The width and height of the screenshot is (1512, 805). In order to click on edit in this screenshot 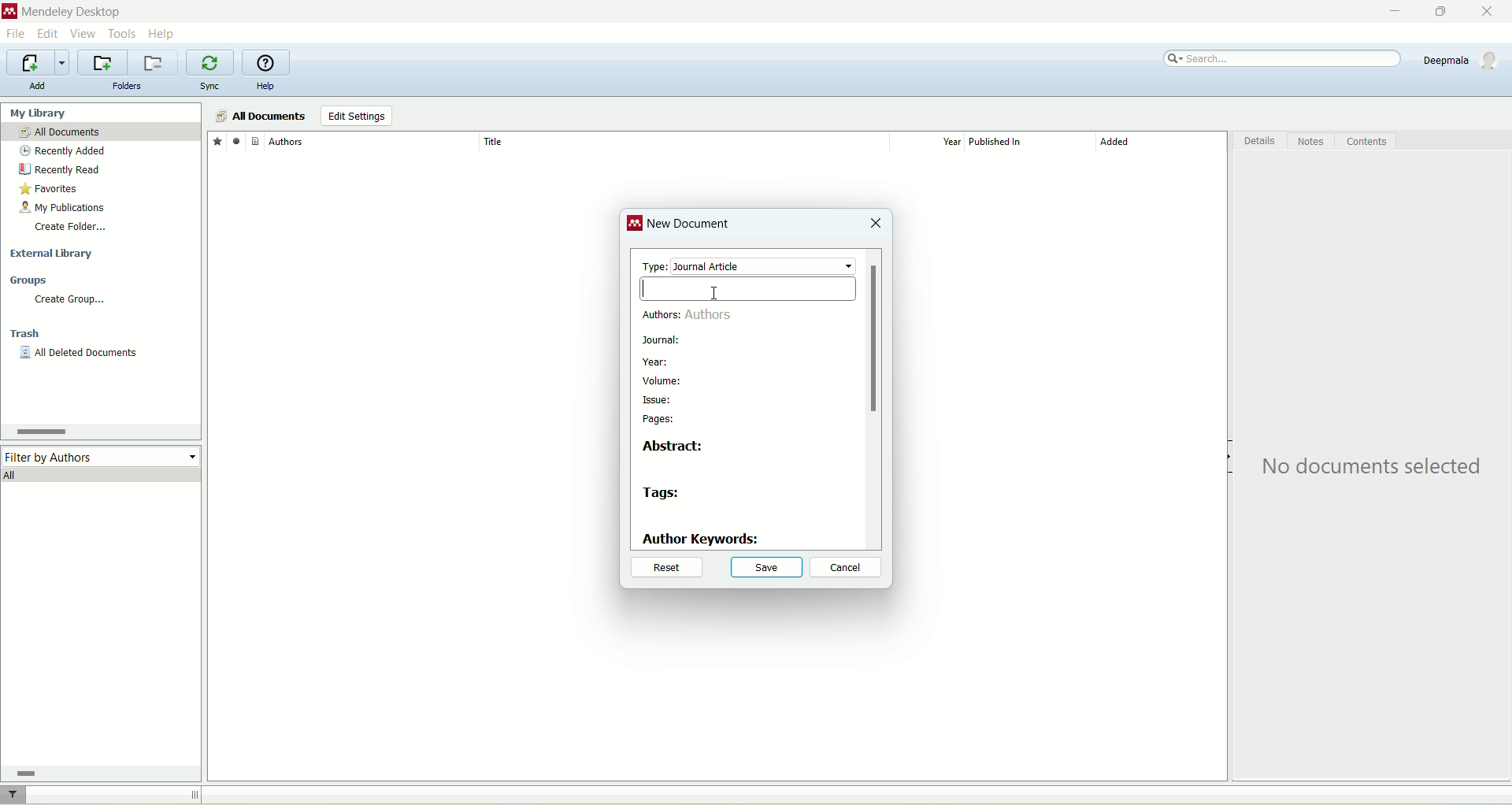, I will do `click(46, 34)`.